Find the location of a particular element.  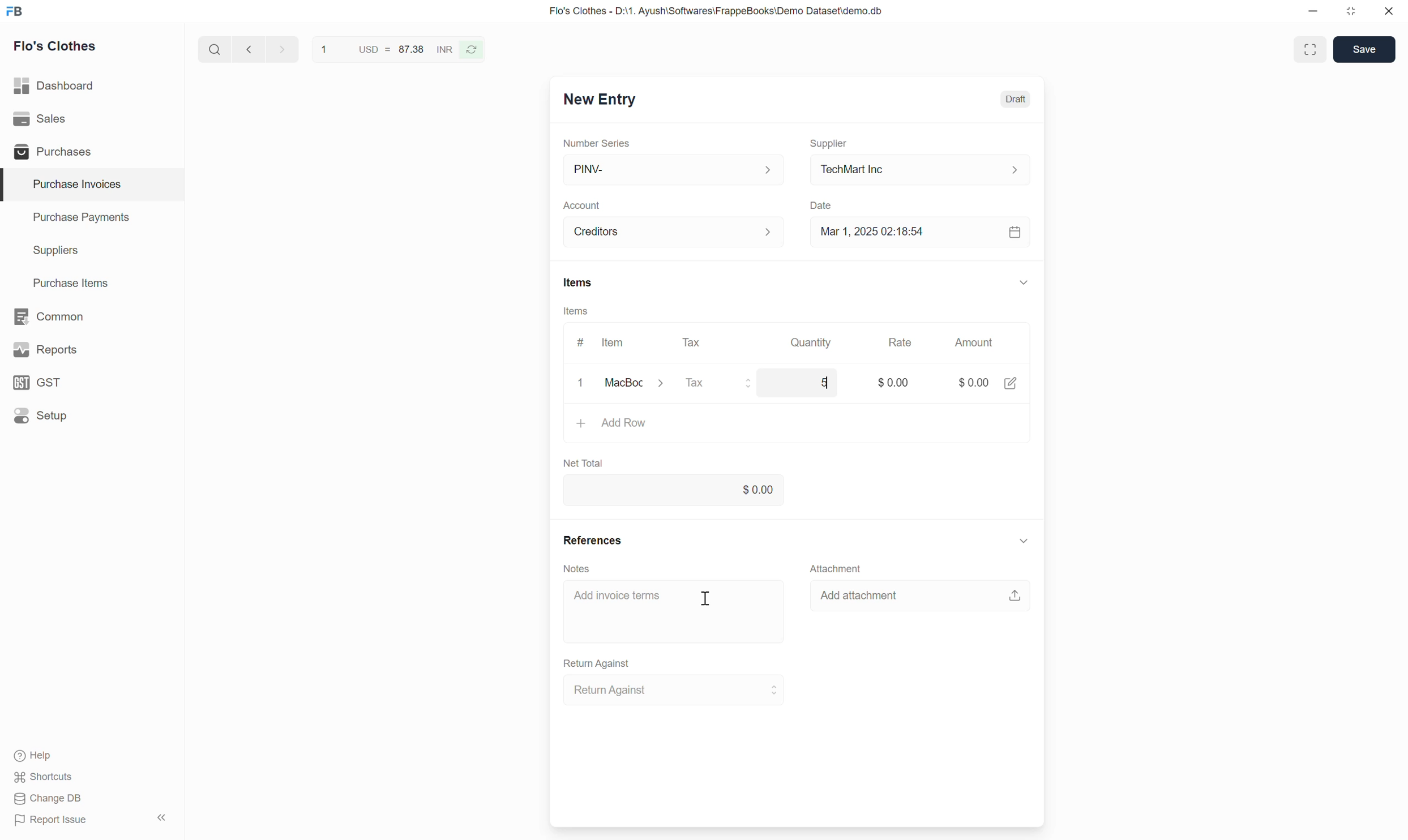

Reverse is located at coordinates (472, 50).